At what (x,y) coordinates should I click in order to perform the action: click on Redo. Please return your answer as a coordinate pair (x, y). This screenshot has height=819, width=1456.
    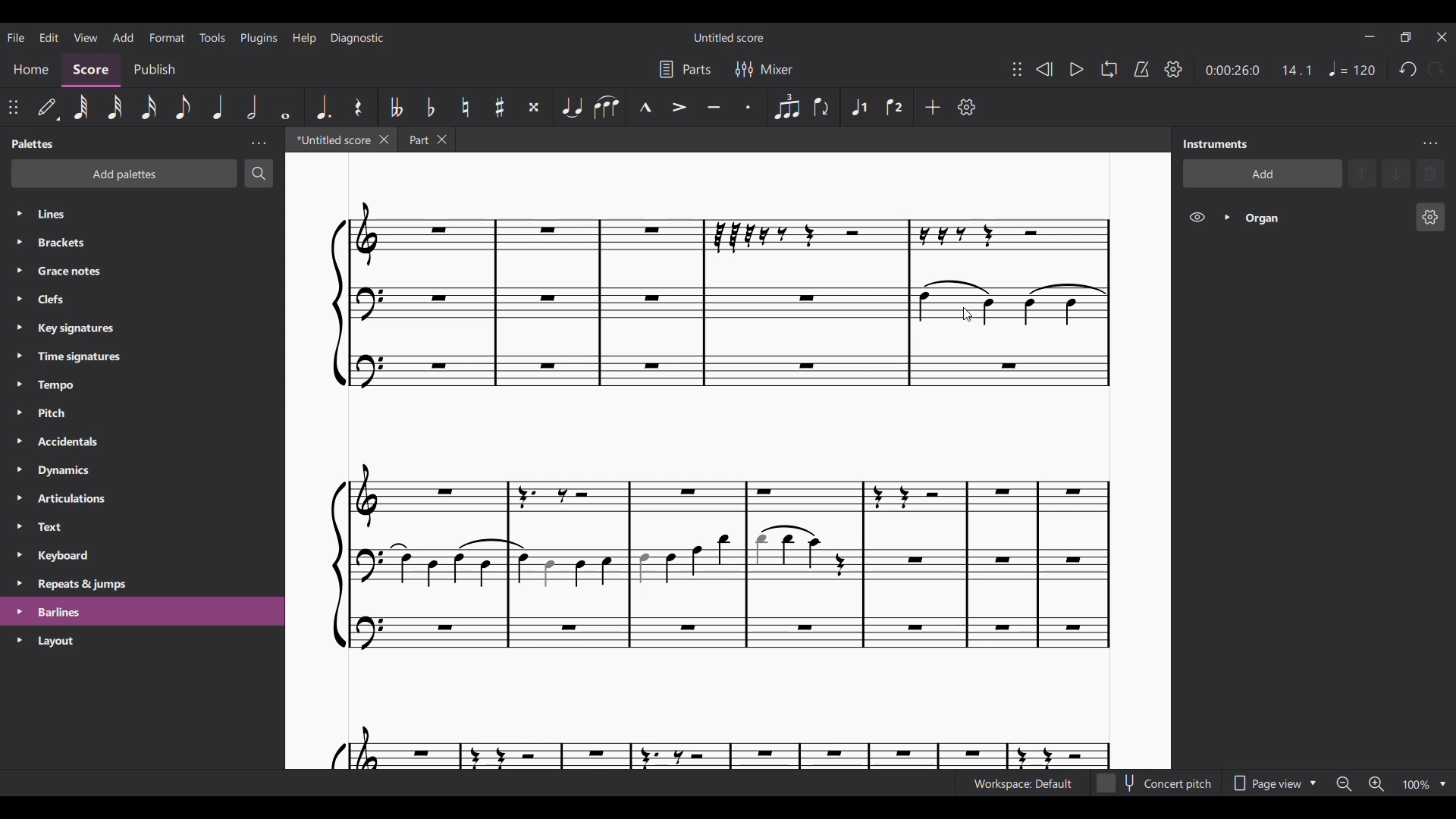
    Looking at the image, I should click on (1436, 69).